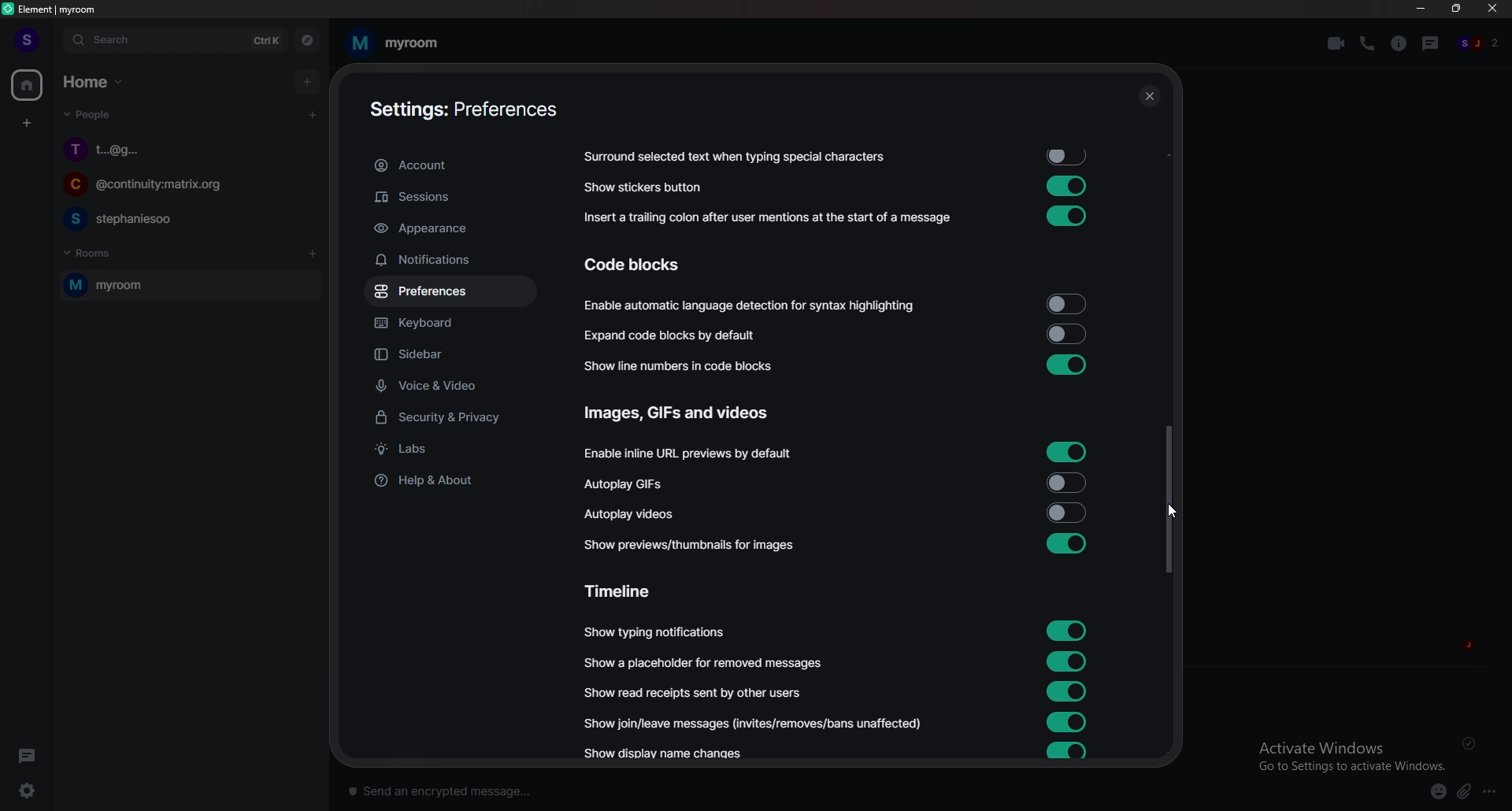 The height and width of the screenshot is (811, 1512). I want to click on home, so click(28, 86).